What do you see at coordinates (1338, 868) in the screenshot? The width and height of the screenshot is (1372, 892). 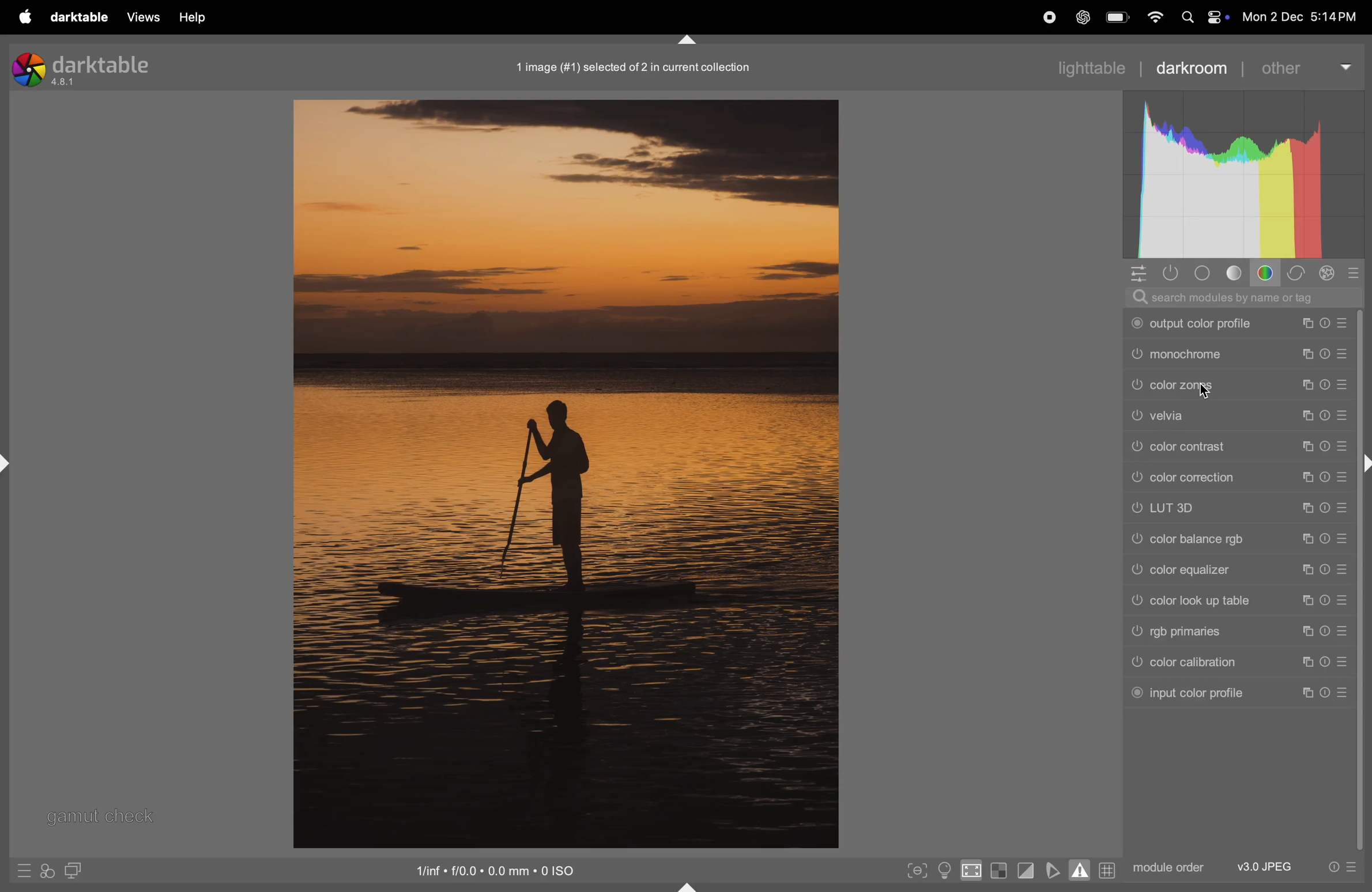 I see `quick acess to preset` at bounding box center [1338, 868].